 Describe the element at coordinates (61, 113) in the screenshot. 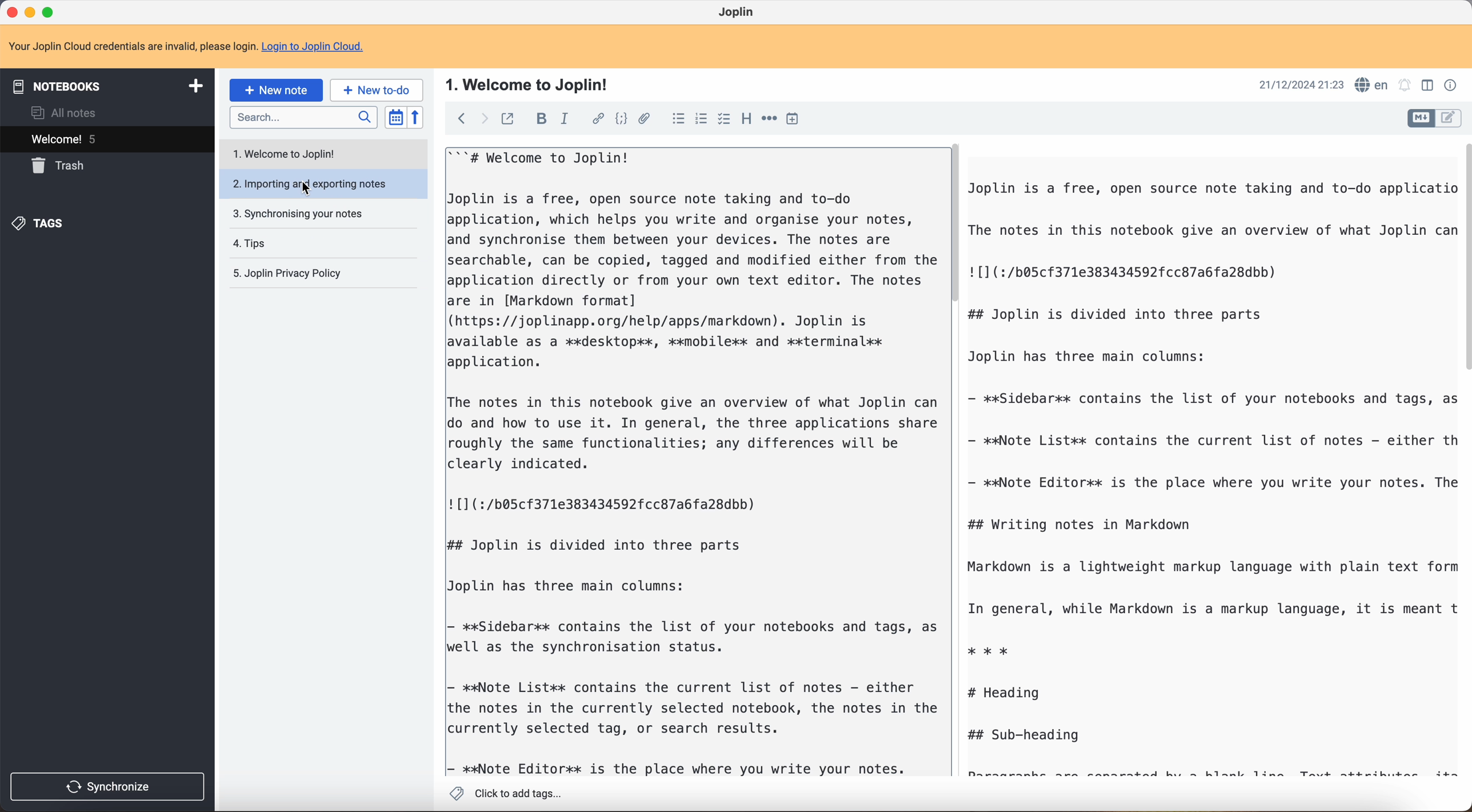

I see `all notes` at that location.